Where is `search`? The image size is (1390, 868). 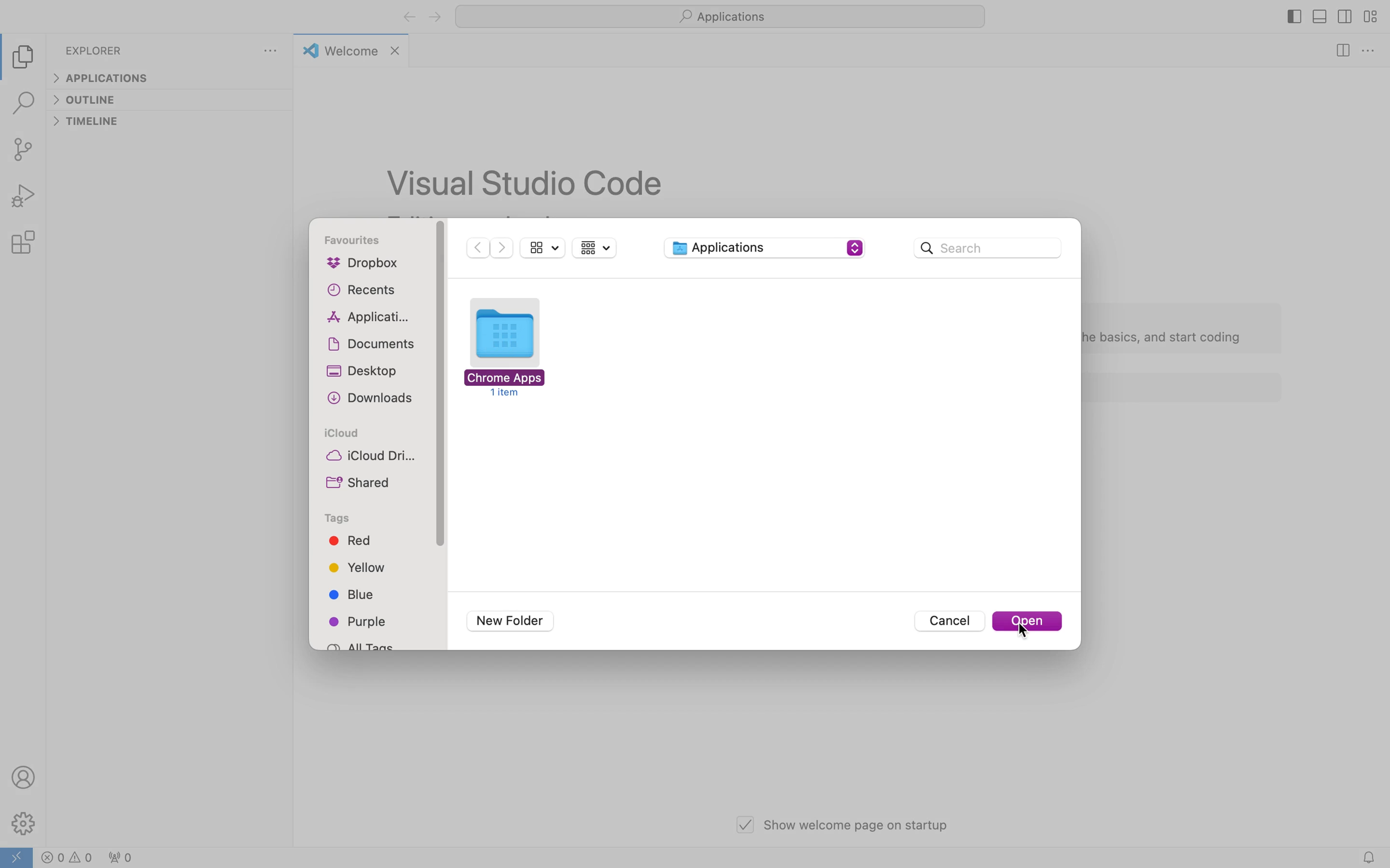 search is located at coordinates (988, 247).